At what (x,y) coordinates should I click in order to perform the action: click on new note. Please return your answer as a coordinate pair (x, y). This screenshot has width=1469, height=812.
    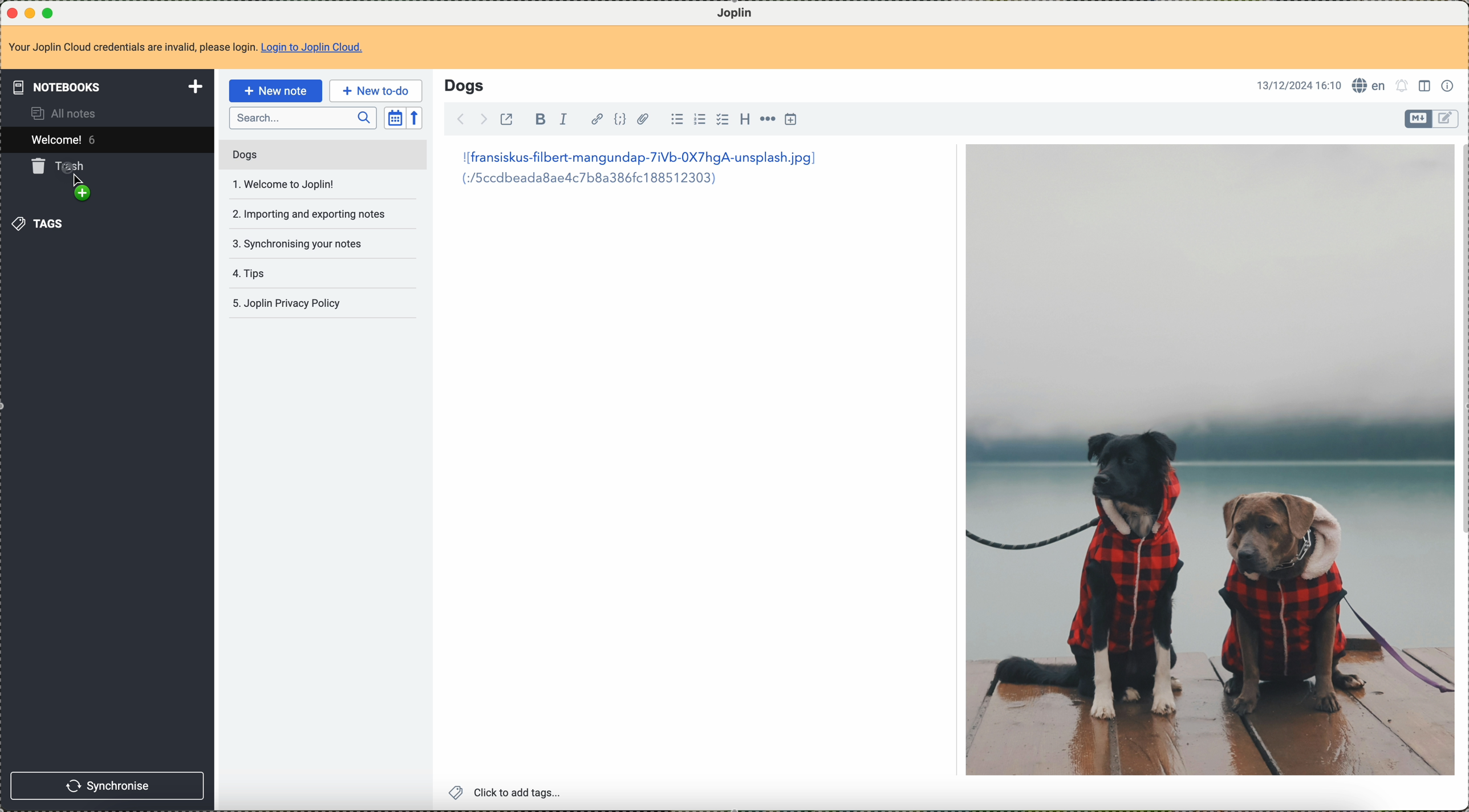
    Looking at the image, I should click on (274, 90).